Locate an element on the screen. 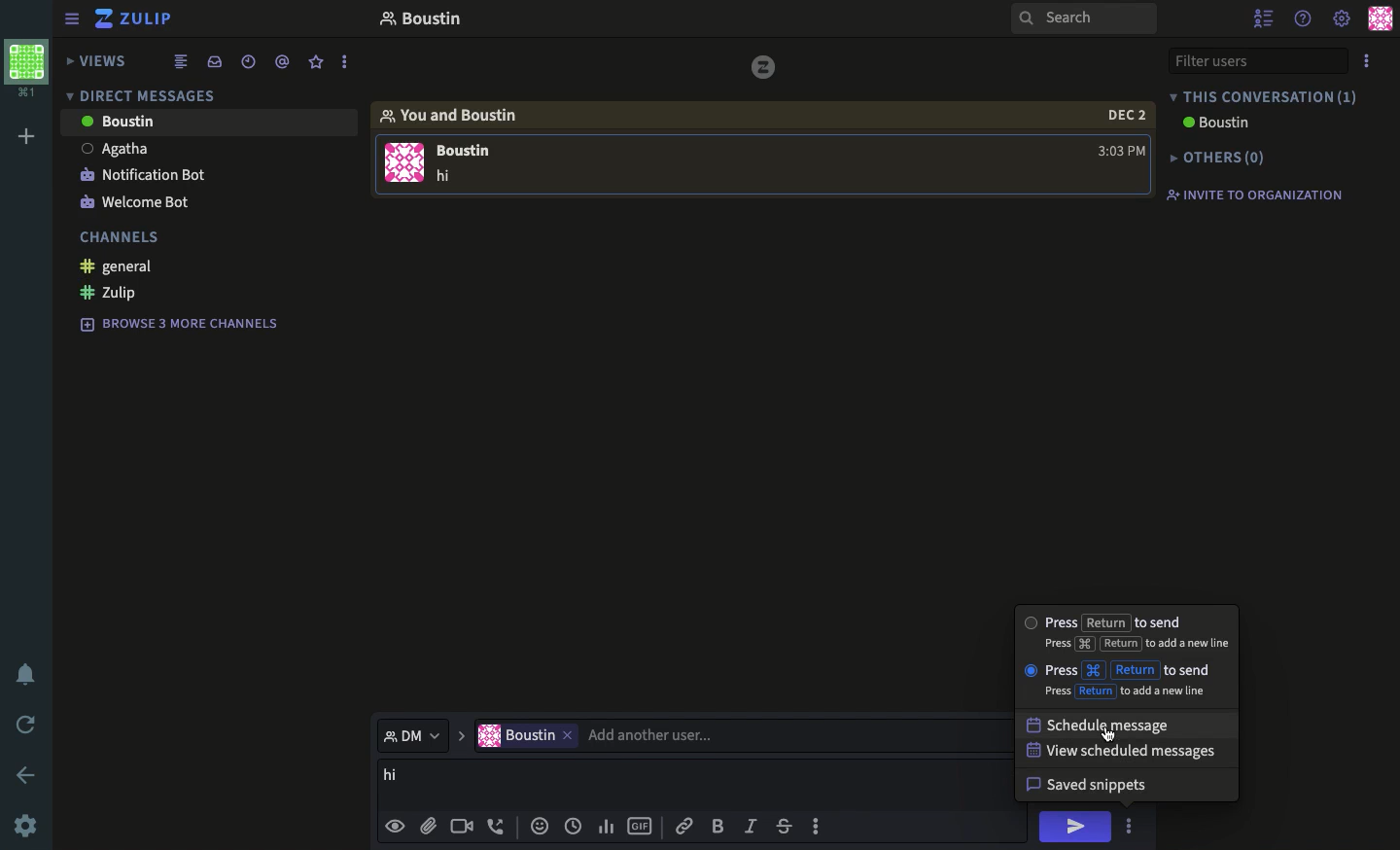 This screenshot has height=850, width=1400. press return to send press "cut" return to add new live is located at coordinates (1126, 632).